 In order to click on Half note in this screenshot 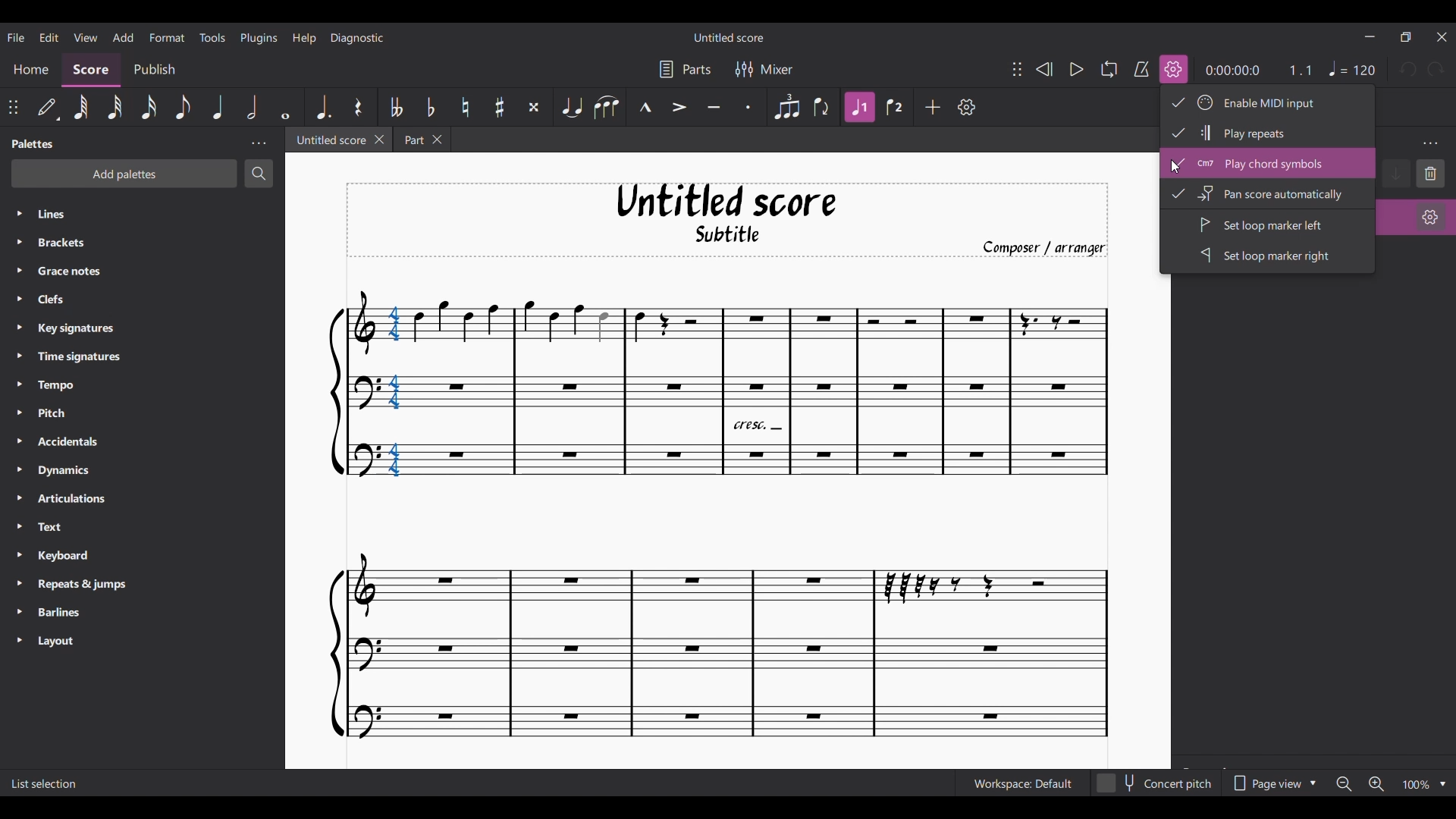, I will do `click(252, 107)`.